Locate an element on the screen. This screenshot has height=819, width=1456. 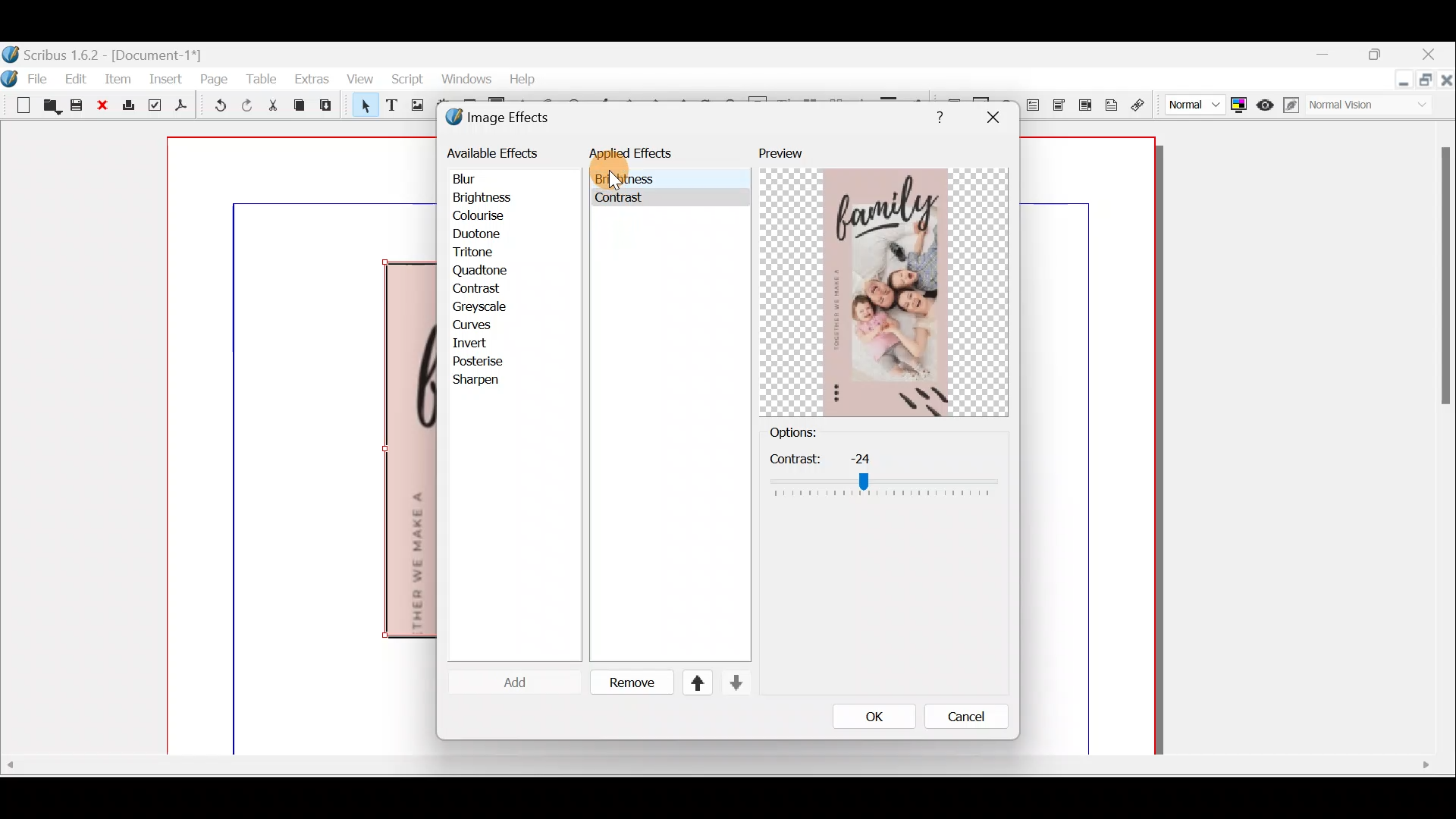
Colourise is located at coordinates (486, 217).